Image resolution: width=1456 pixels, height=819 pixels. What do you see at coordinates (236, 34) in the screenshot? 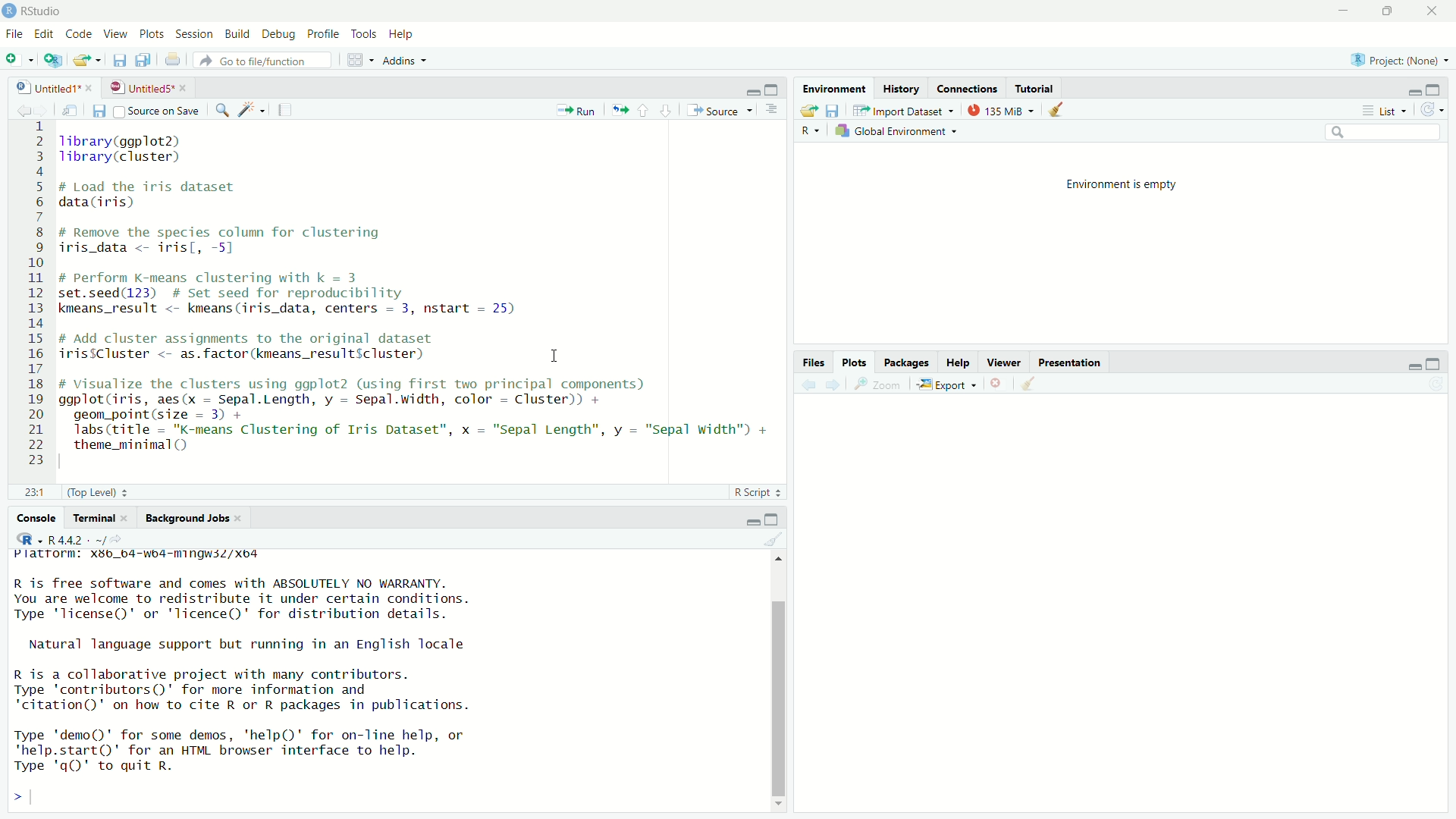
I see `build` at bounding box center [236, 34].